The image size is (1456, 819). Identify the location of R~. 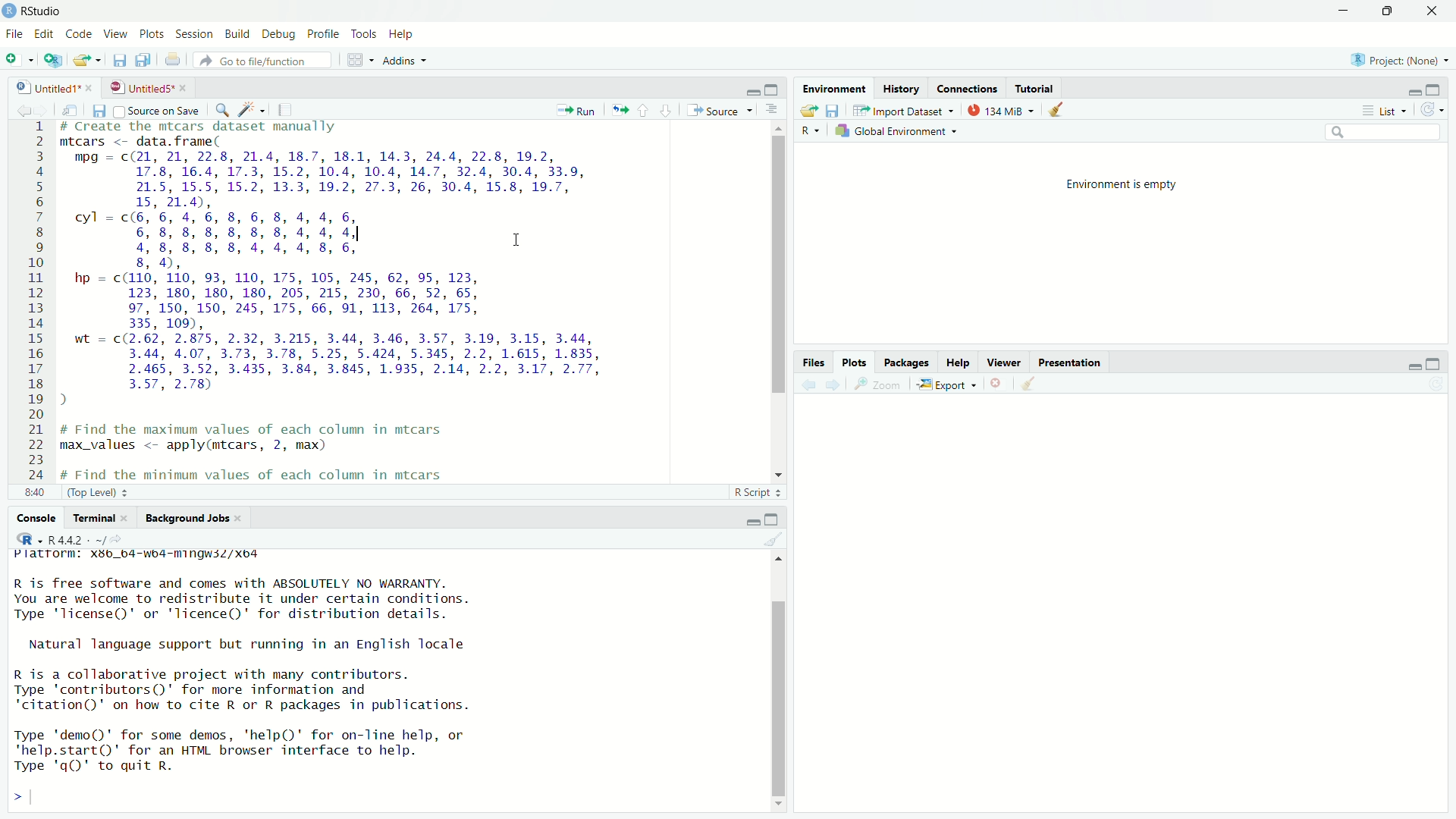
(808, 129).